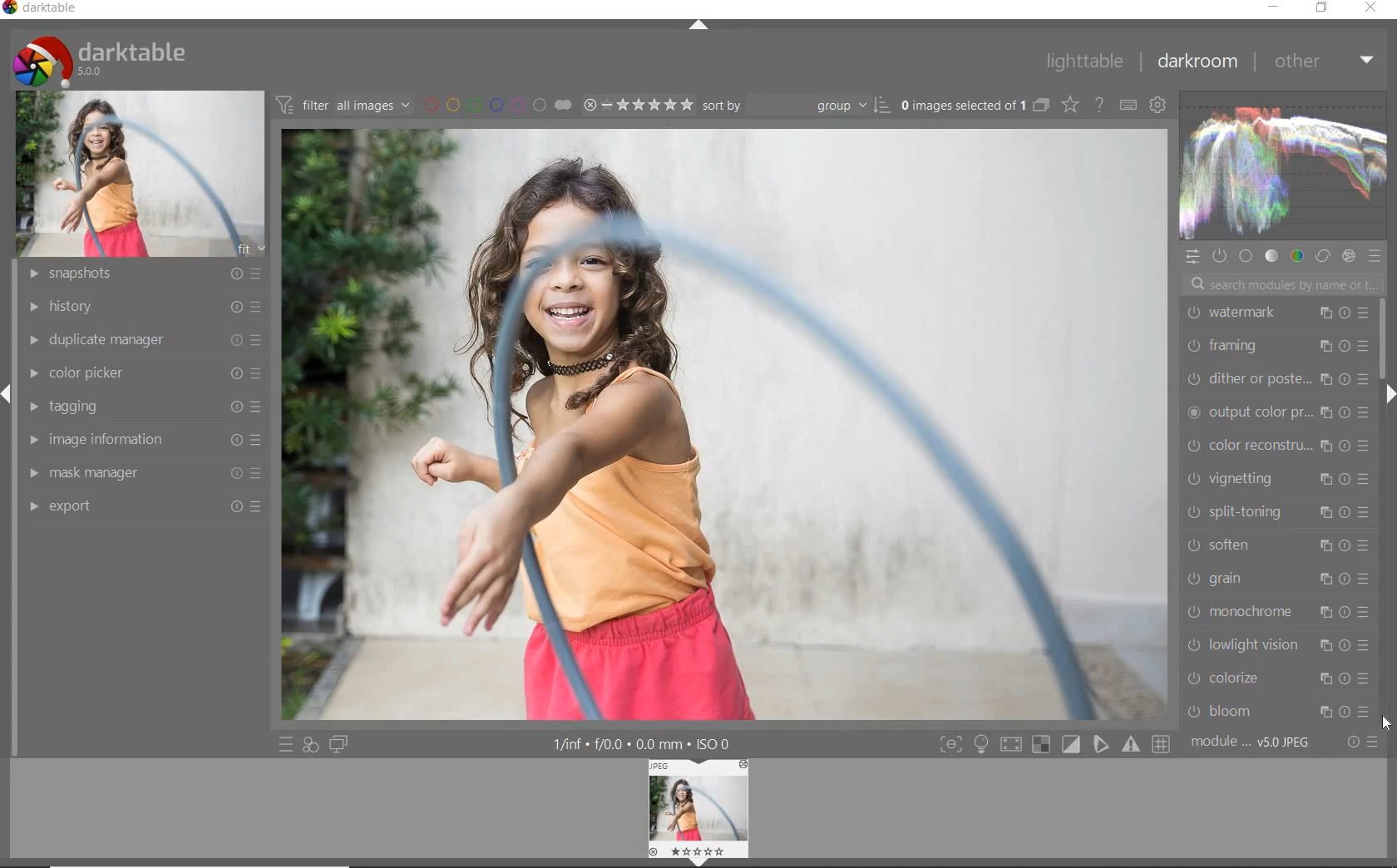 This screenshot has height=868, width=1397. Describe the element at coordinates (1348, 255) in the screenshot. I see `effect` at that location.